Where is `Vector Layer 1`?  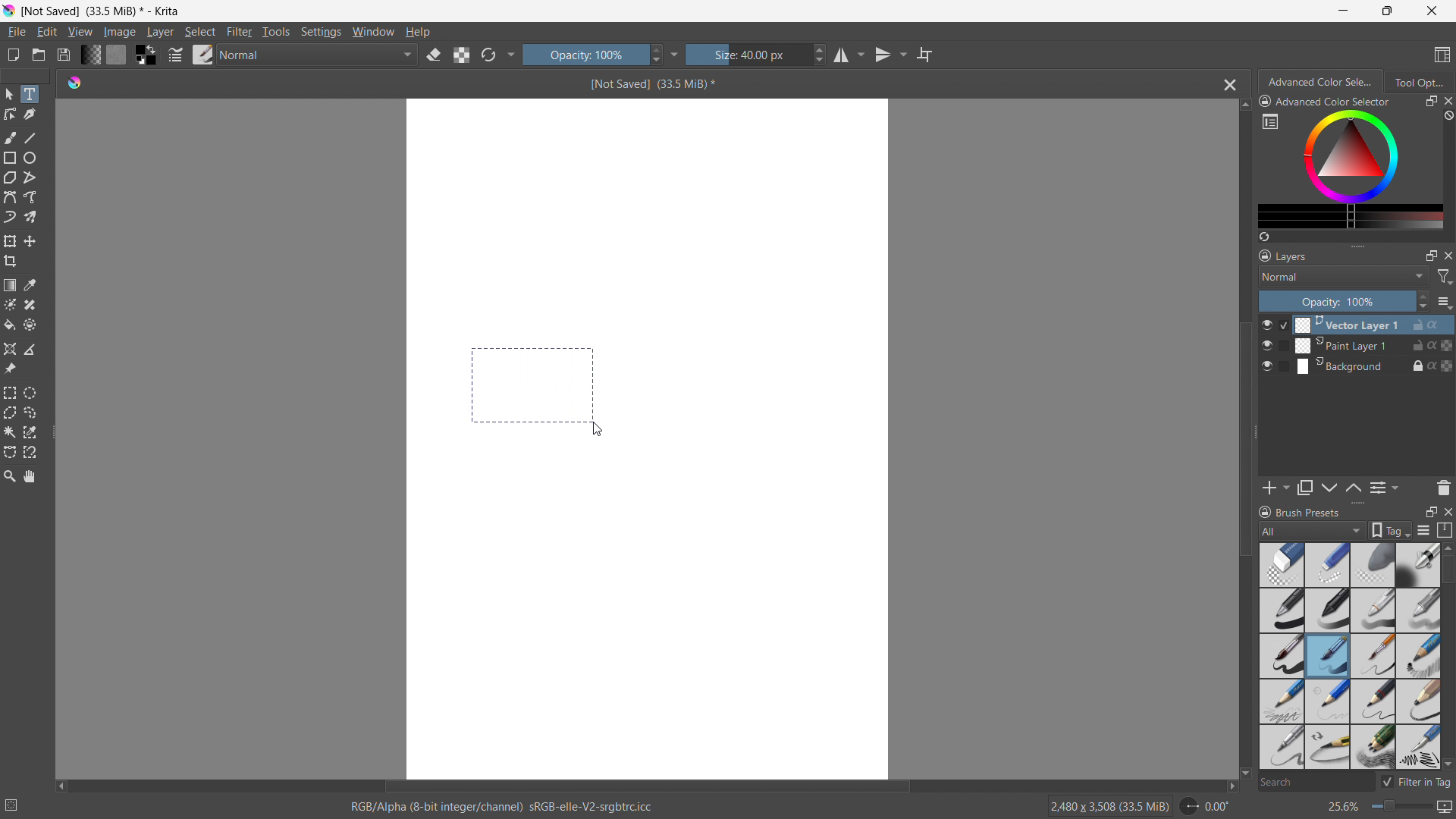 Vector Layer 1 is located at coordinates (1366, 324).